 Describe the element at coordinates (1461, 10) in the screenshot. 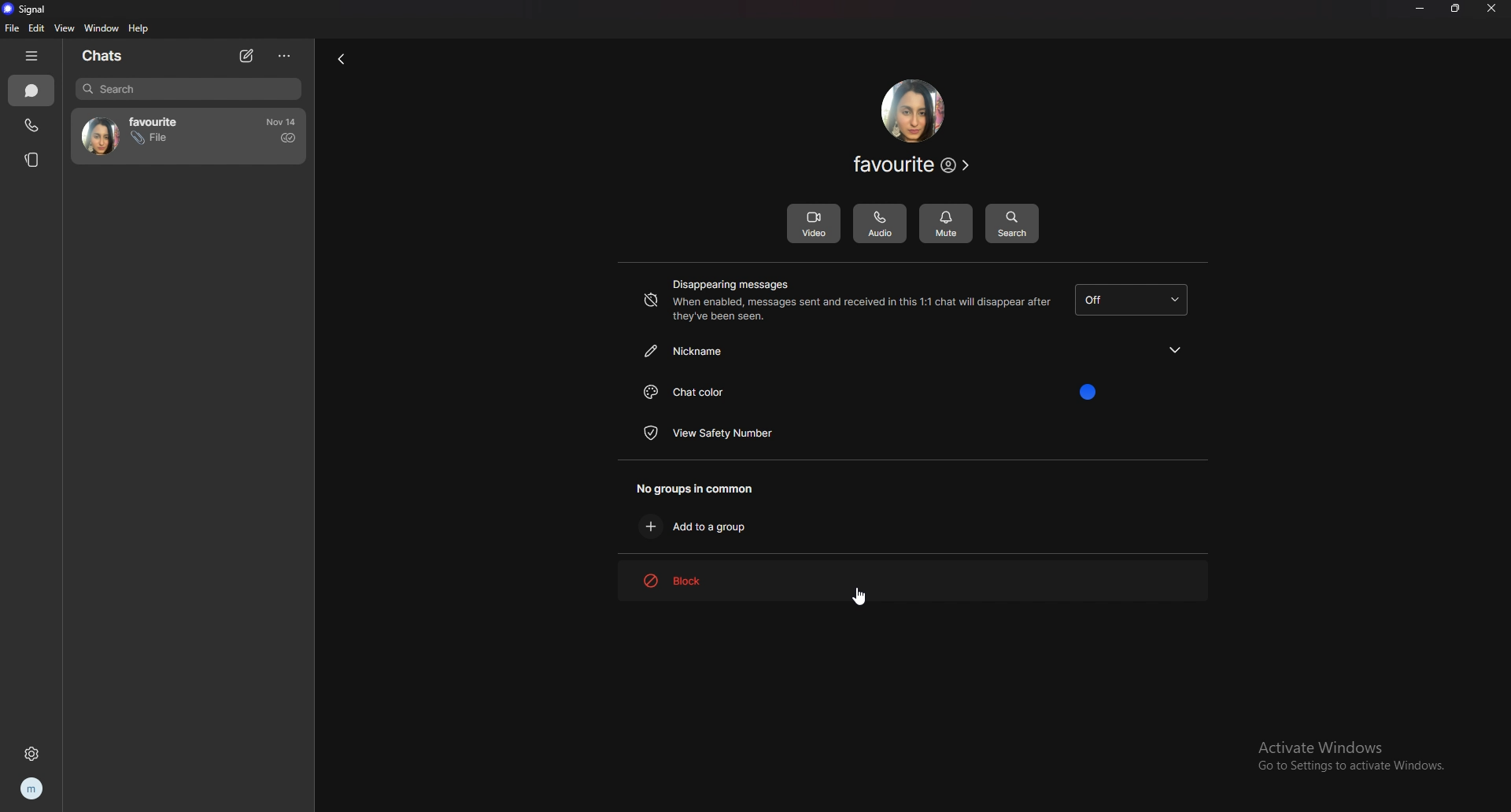

I see `resize` at that location.